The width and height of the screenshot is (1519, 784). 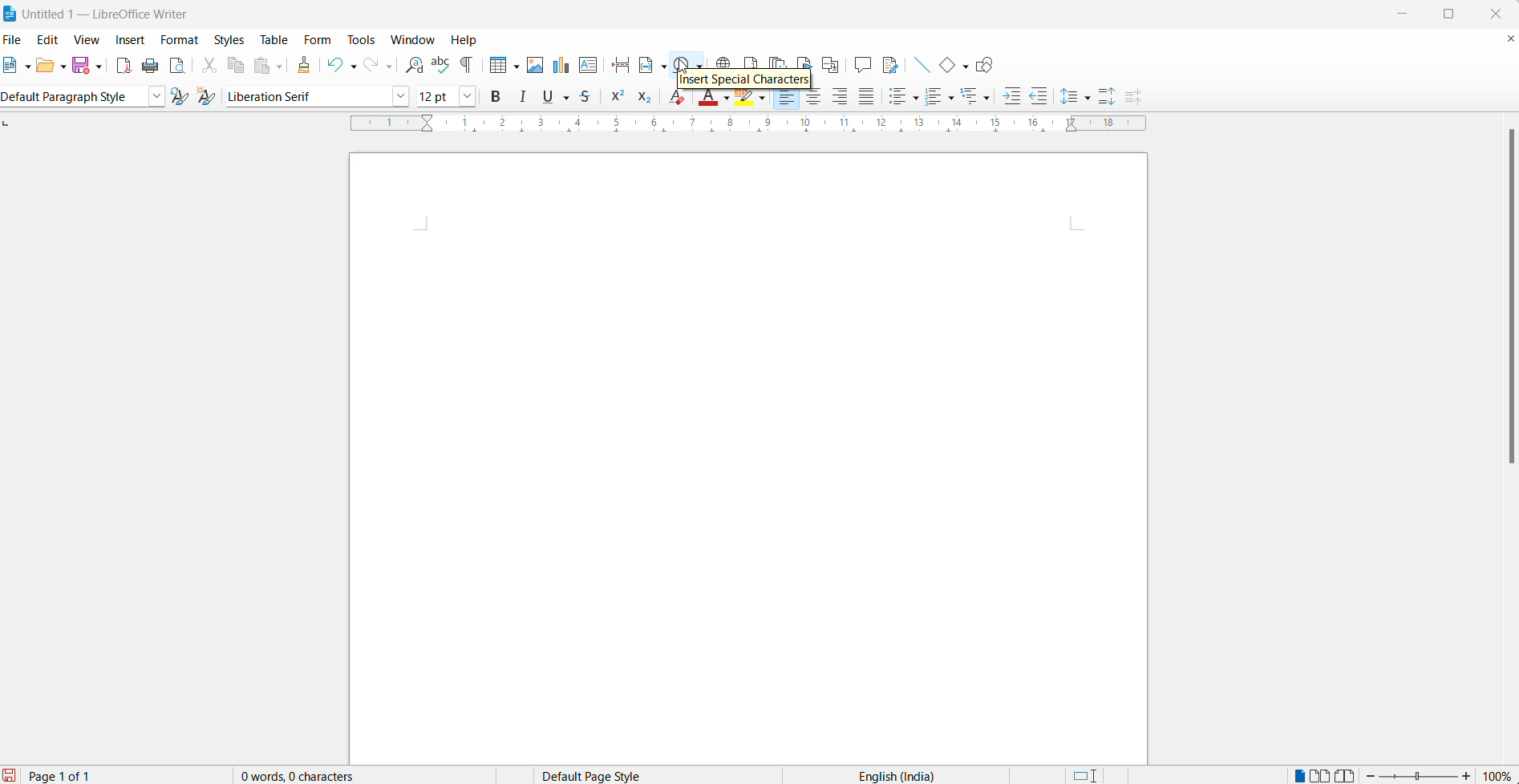 What do you see at coordinates (68, 98) in the screenshot?
I see `paragraph style` at bounding box center [68, 98].